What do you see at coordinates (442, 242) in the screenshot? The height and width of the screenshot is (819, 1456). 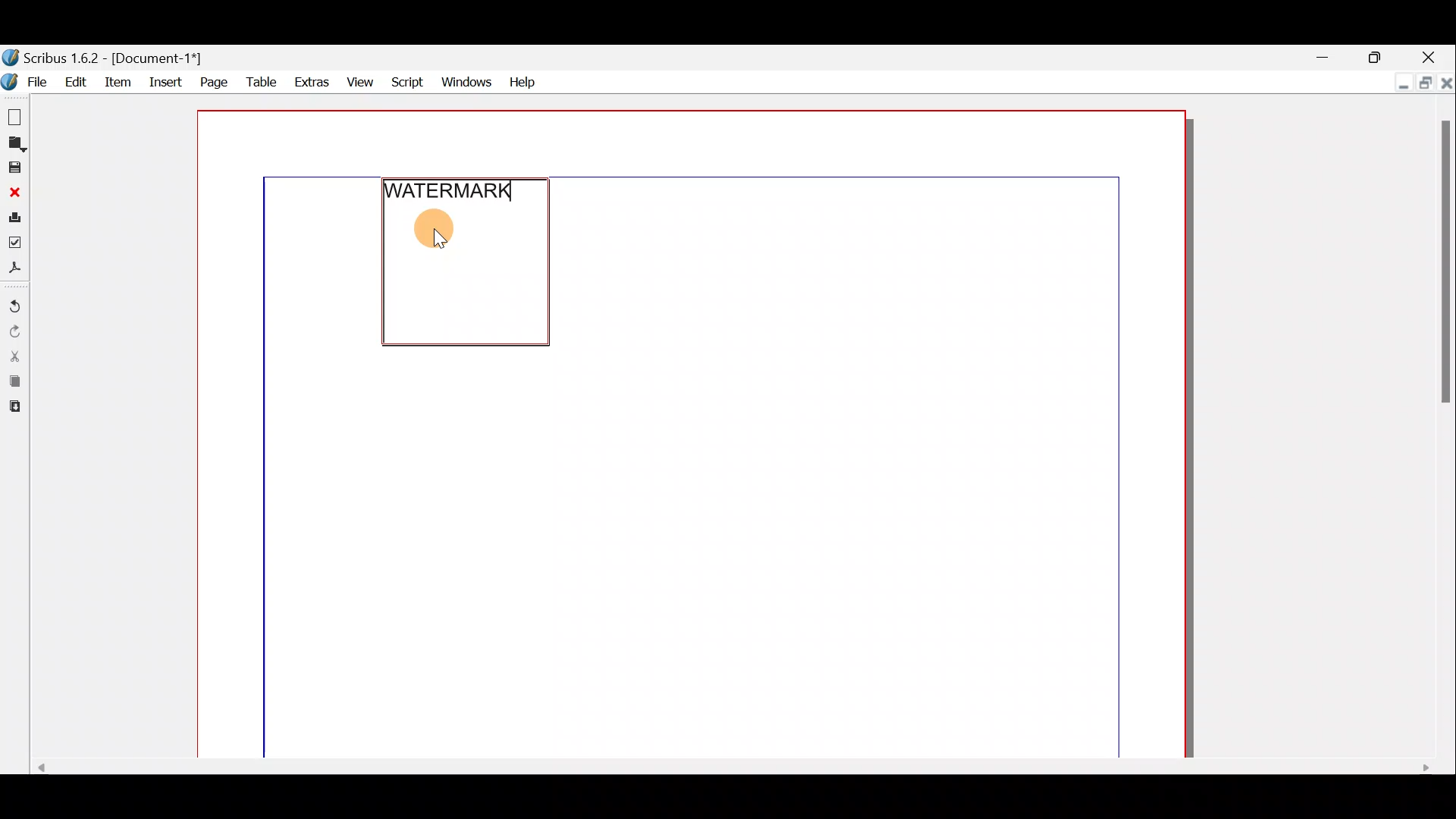 I see `cursor` at bounding box center [442, 242].